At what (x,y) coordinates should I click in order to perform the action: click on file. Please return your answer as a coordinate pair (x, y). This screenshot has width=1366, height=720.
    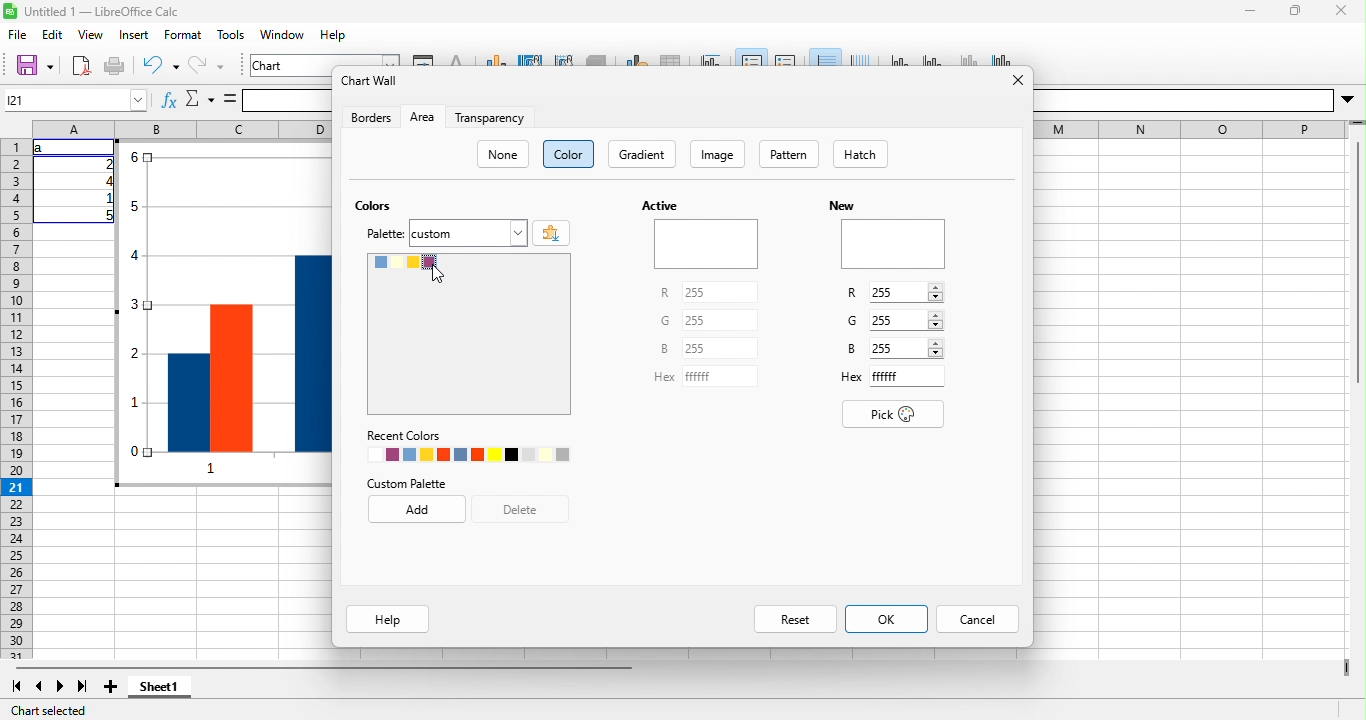
    Looking at the image, I should click on (18, 34).